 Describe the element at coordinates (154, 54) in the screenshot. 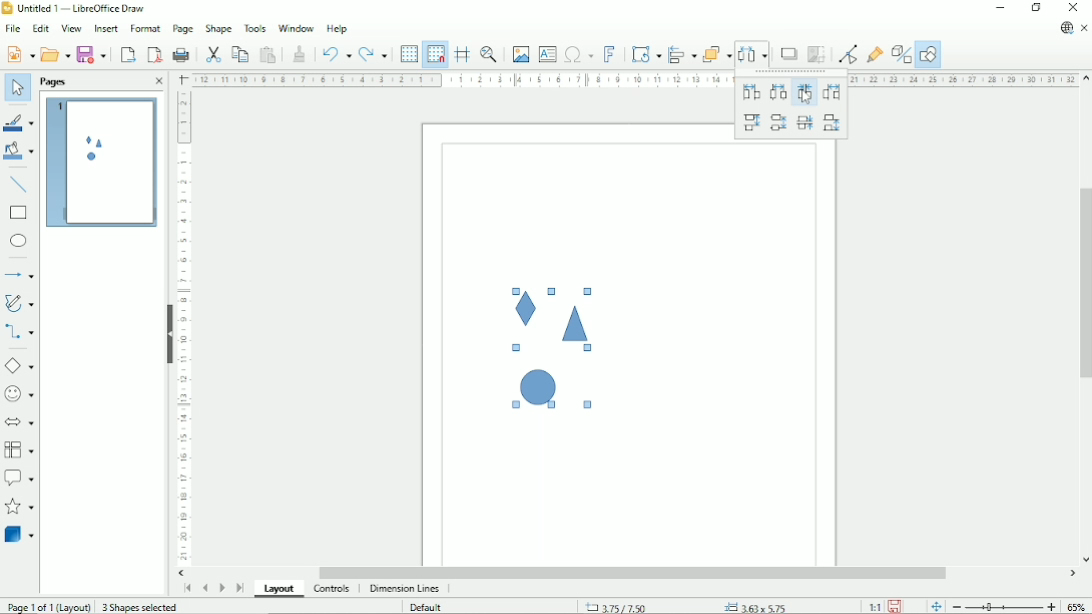

I see `Export directly as PDF` at that location.